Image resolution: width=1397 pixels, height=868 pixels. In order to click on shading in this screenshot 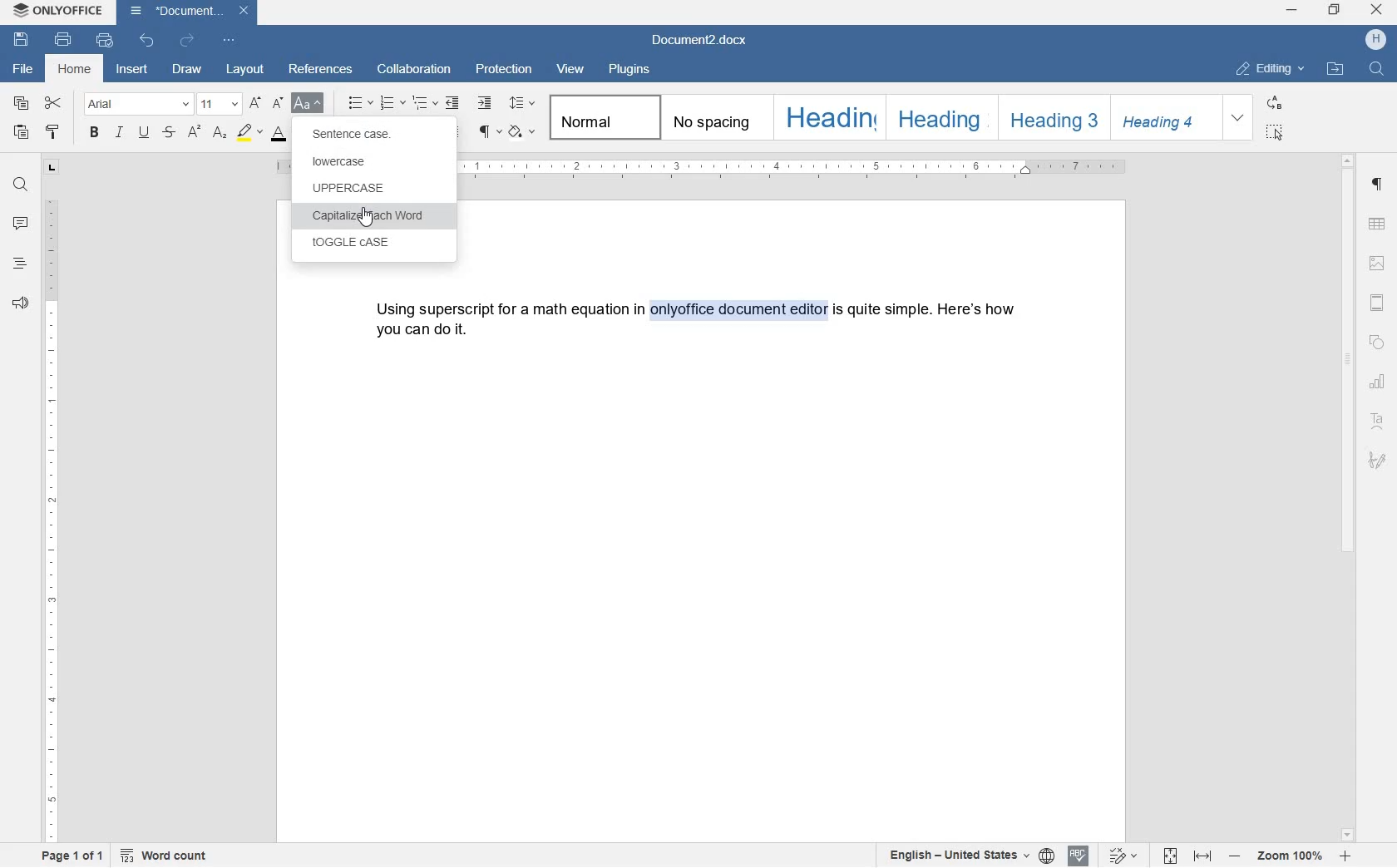, I will do `click(521, 133)`.